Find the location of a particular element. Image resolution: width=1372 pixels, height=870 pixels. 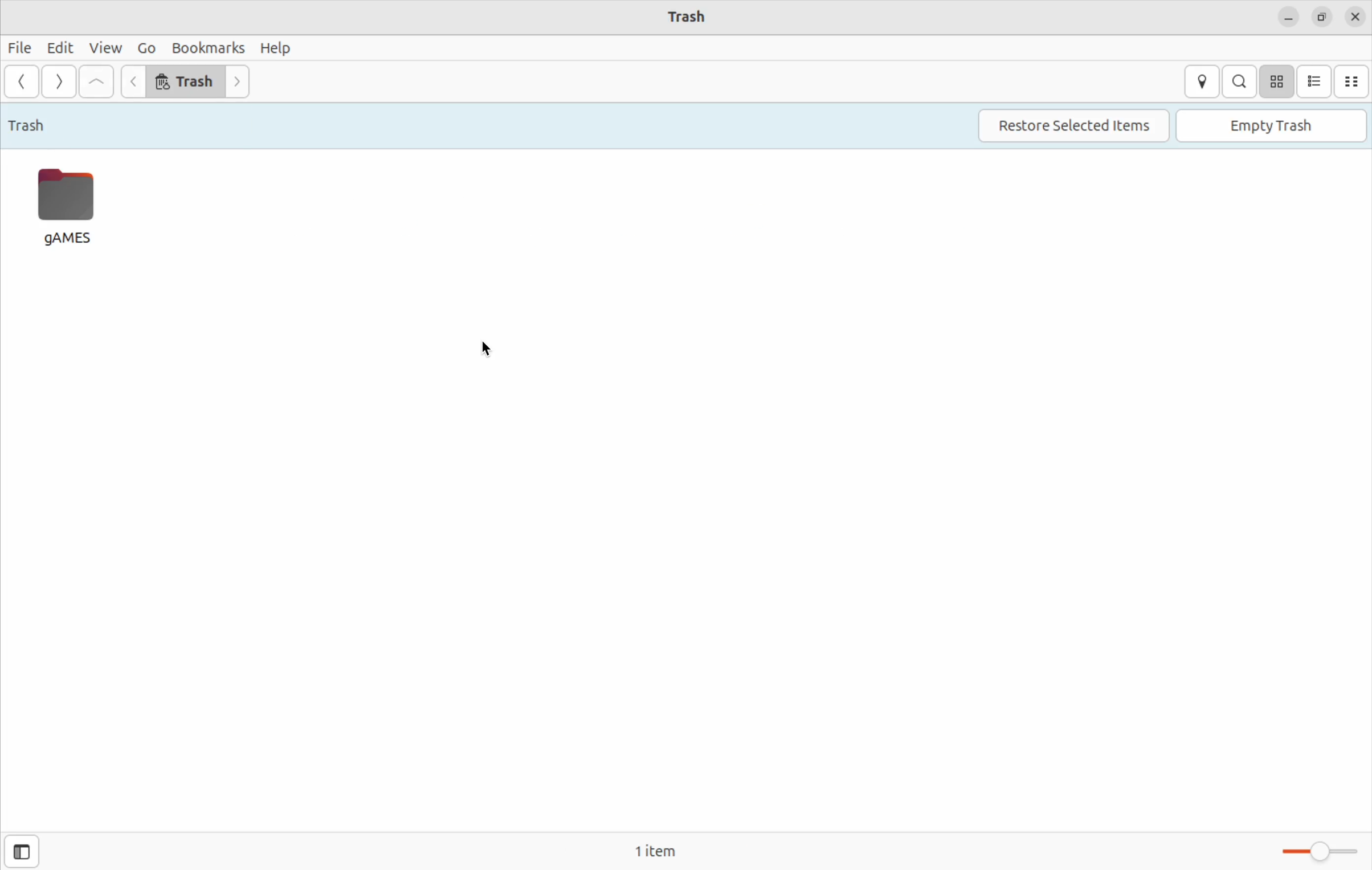

file is located at coordinates (21, 47).